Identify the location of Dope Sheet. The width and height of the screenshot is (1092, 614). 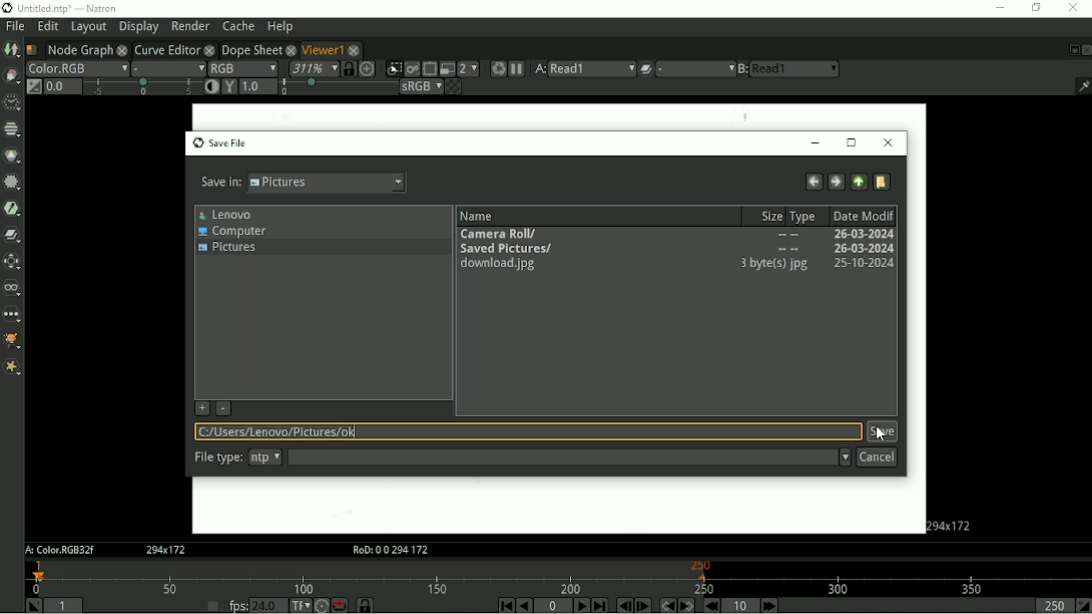
(251, 48).